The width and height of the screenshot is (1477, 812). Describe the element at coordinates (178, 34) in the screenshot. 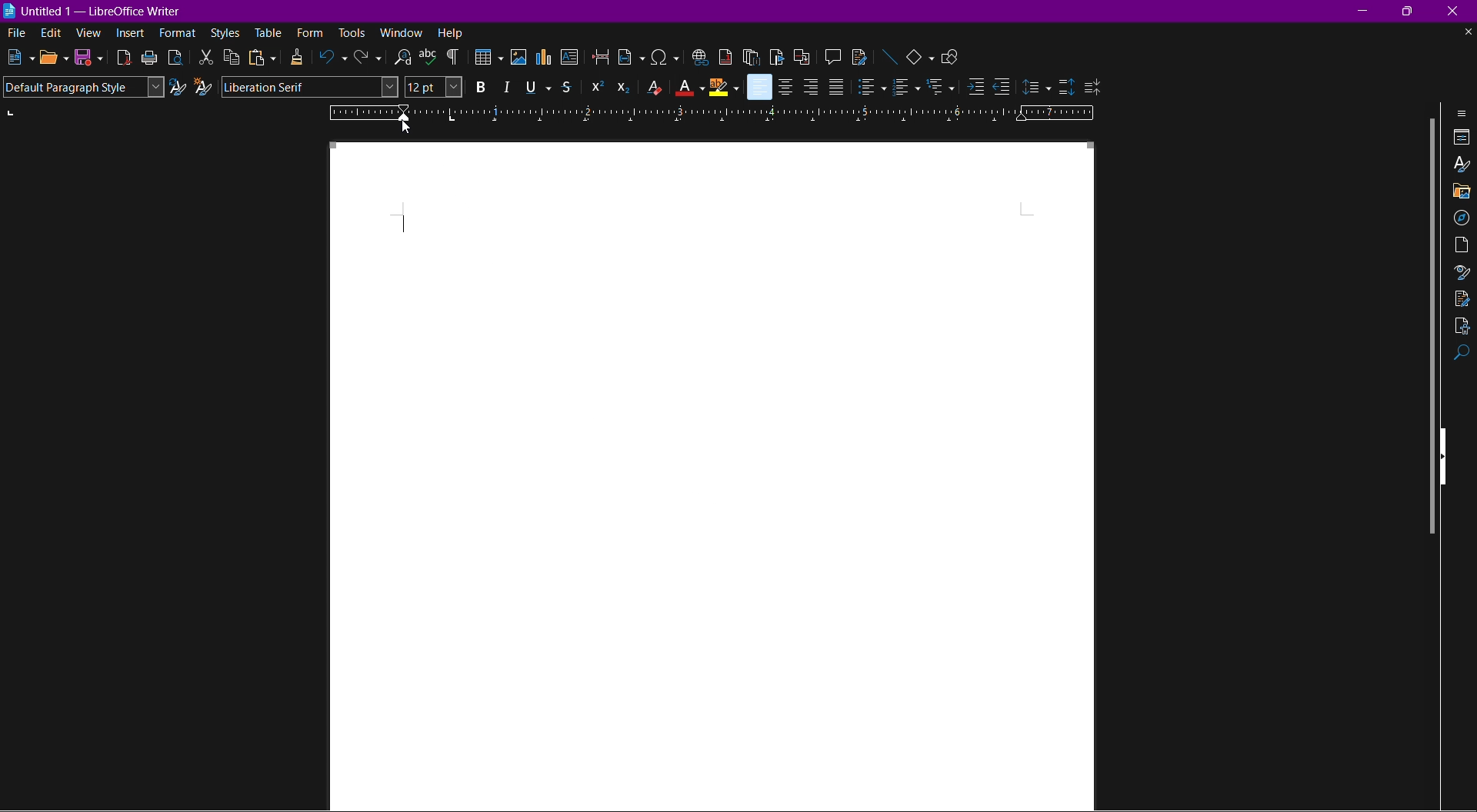

I see `format` at that location.